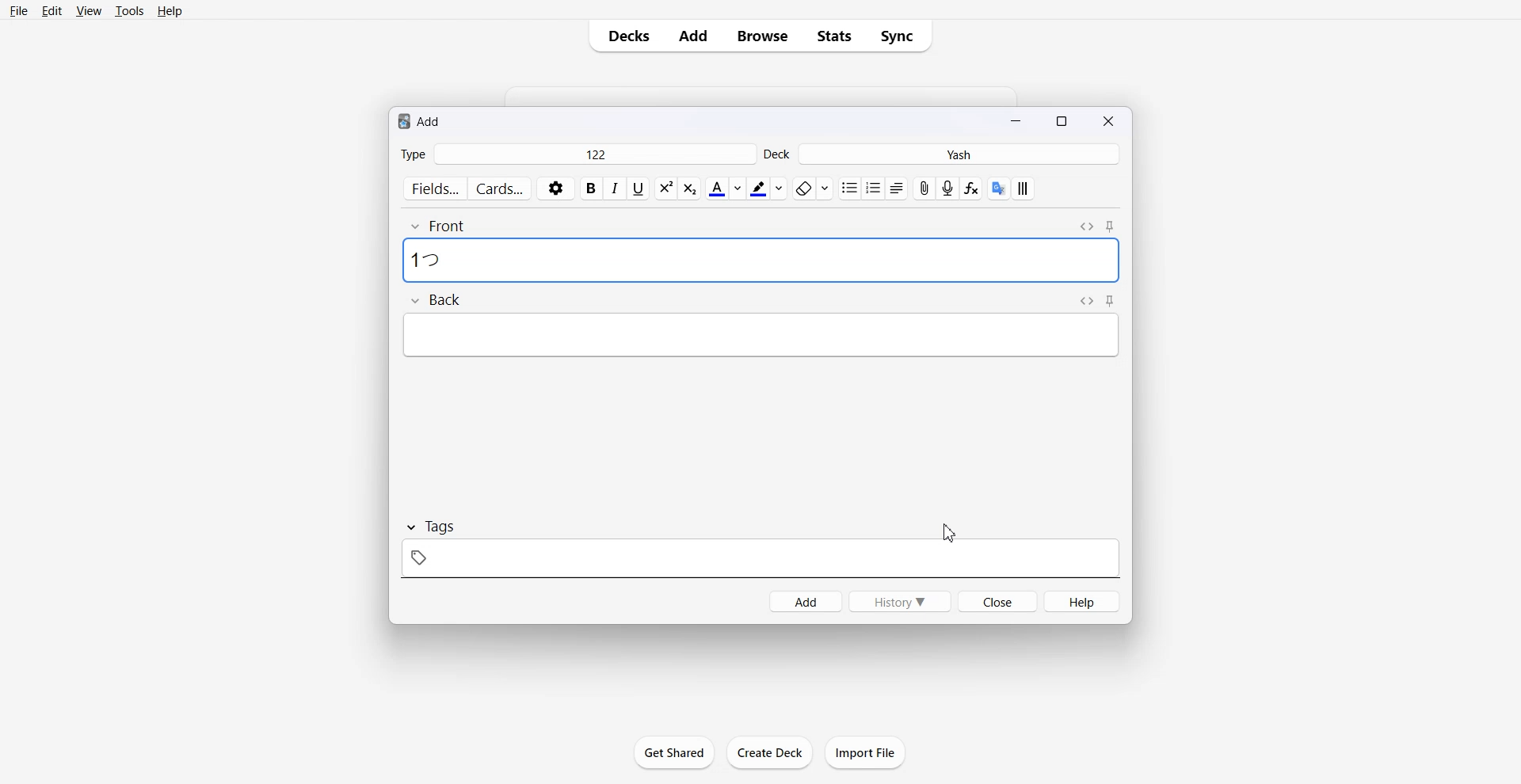 Image resolution: width=1521 pixels, height=784 pixels. What do you see at coordinates (768, 188) in the screenshot?
I see `Highlight text color` at bounding box center [768, 188].